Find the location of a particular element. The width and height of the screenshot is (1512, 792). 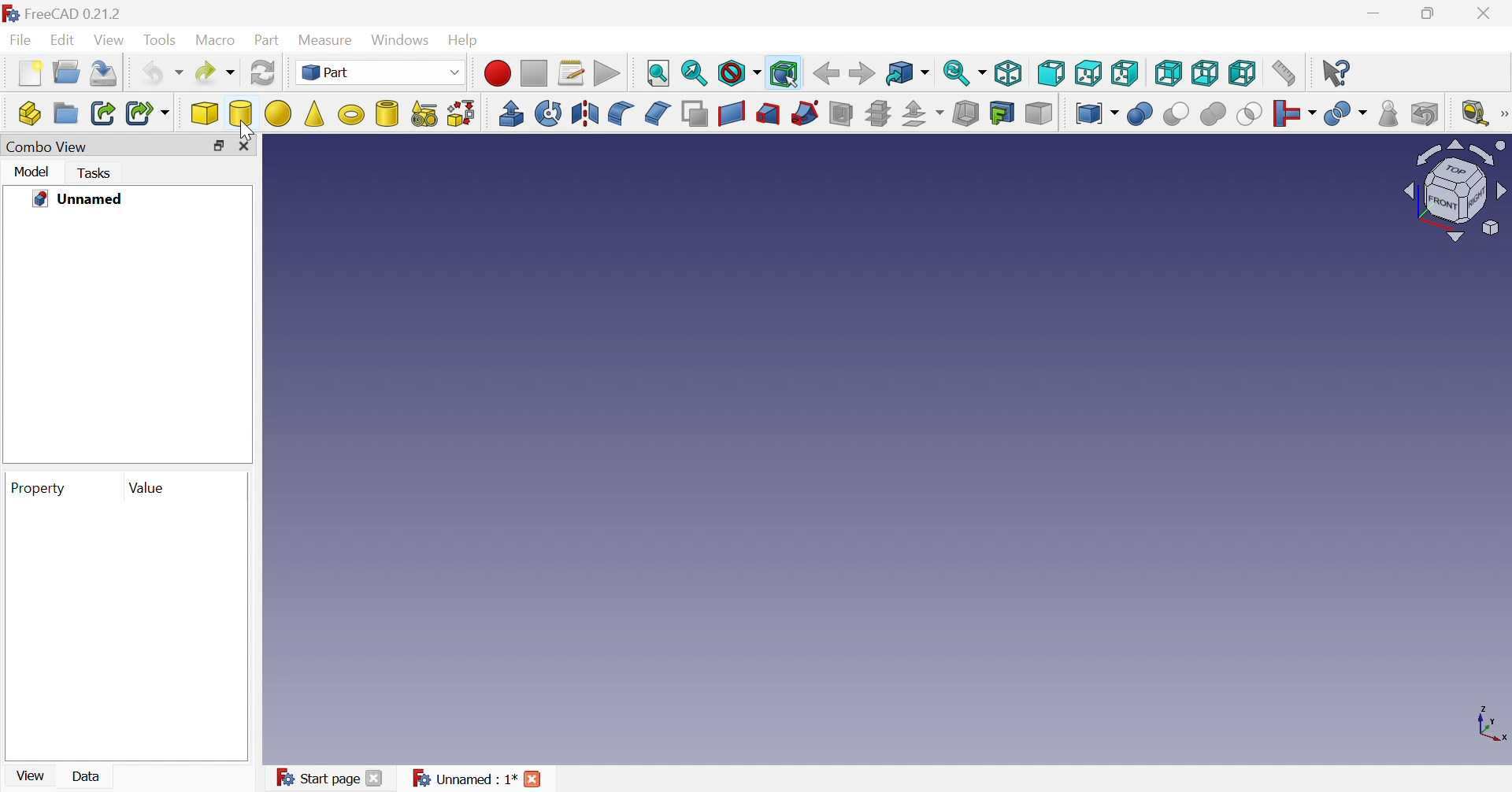

Fillet is located at coordinates (620, 113).